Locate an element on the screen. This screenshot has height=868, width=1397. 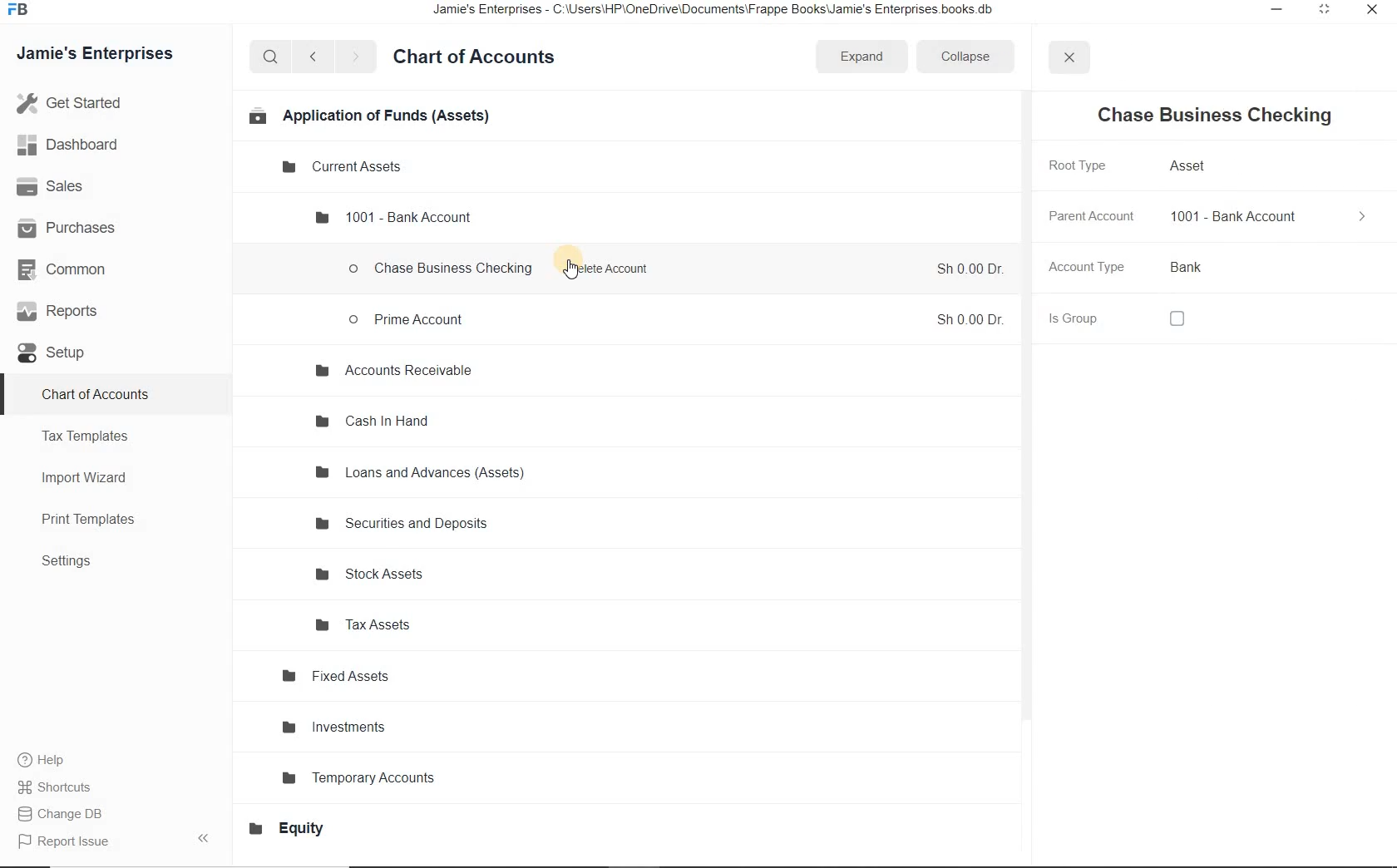
Jamie's Enterprises - C:\Users\HP\OneDrive\Documents\Frappe Books\Jamie's Enterprises books.db is located at coordinates (728, 12).